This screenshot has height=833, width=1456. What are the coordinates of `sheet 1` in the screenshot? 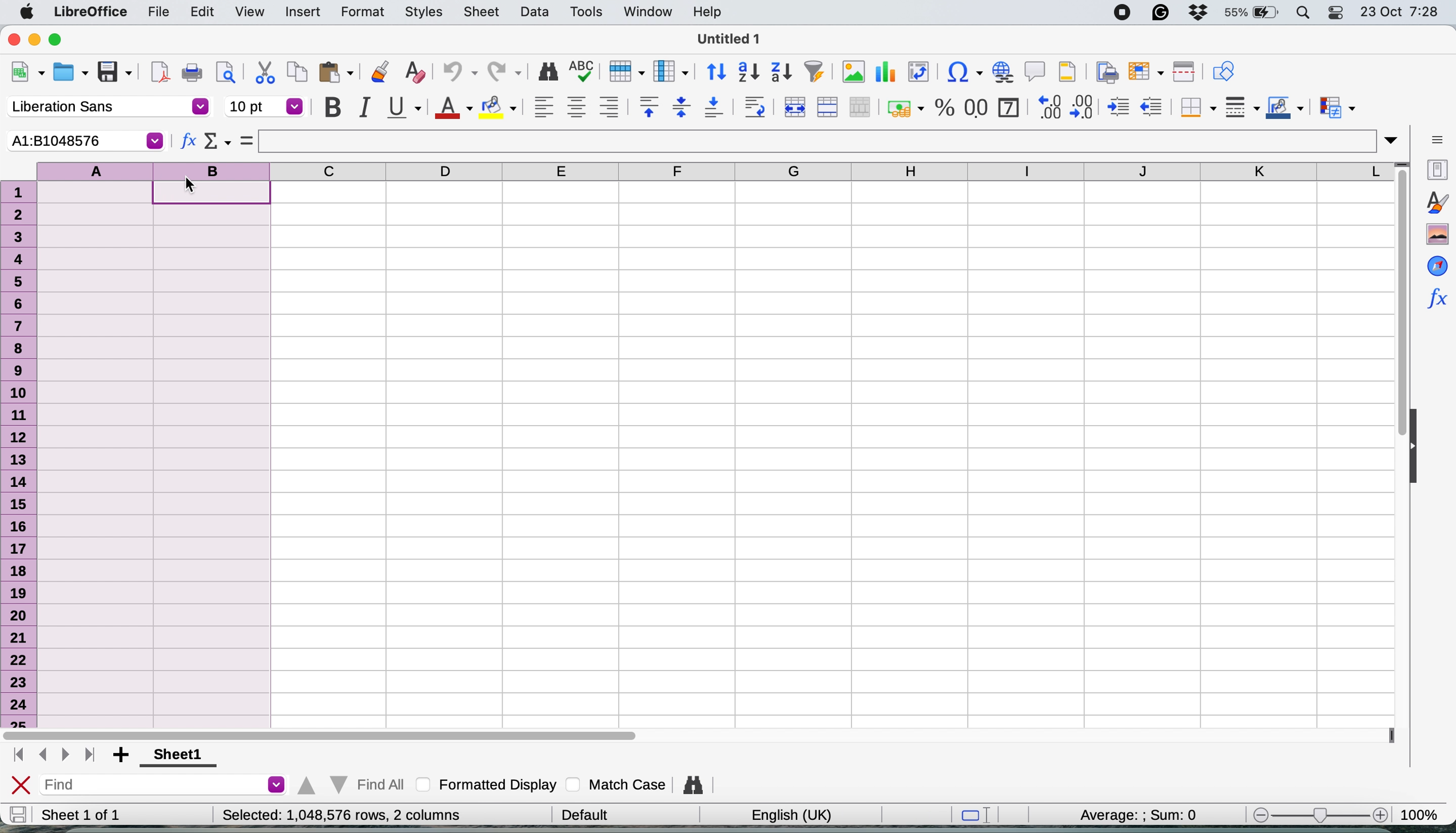 It's located at (180, 755).